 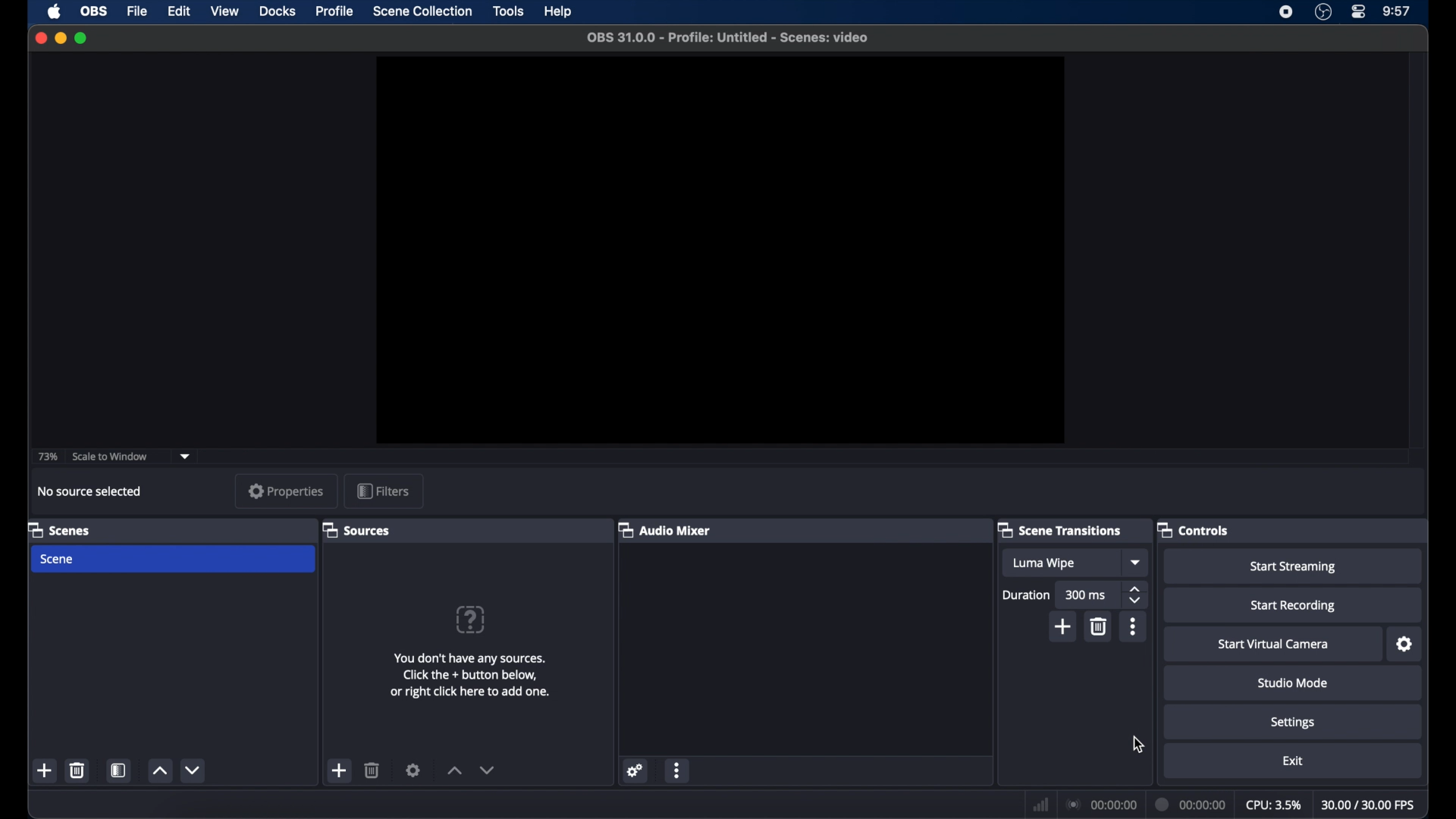 What do you see at coordinates (509, 11) in the screenshot?
I see `tools` at bounding box center [509, 11].